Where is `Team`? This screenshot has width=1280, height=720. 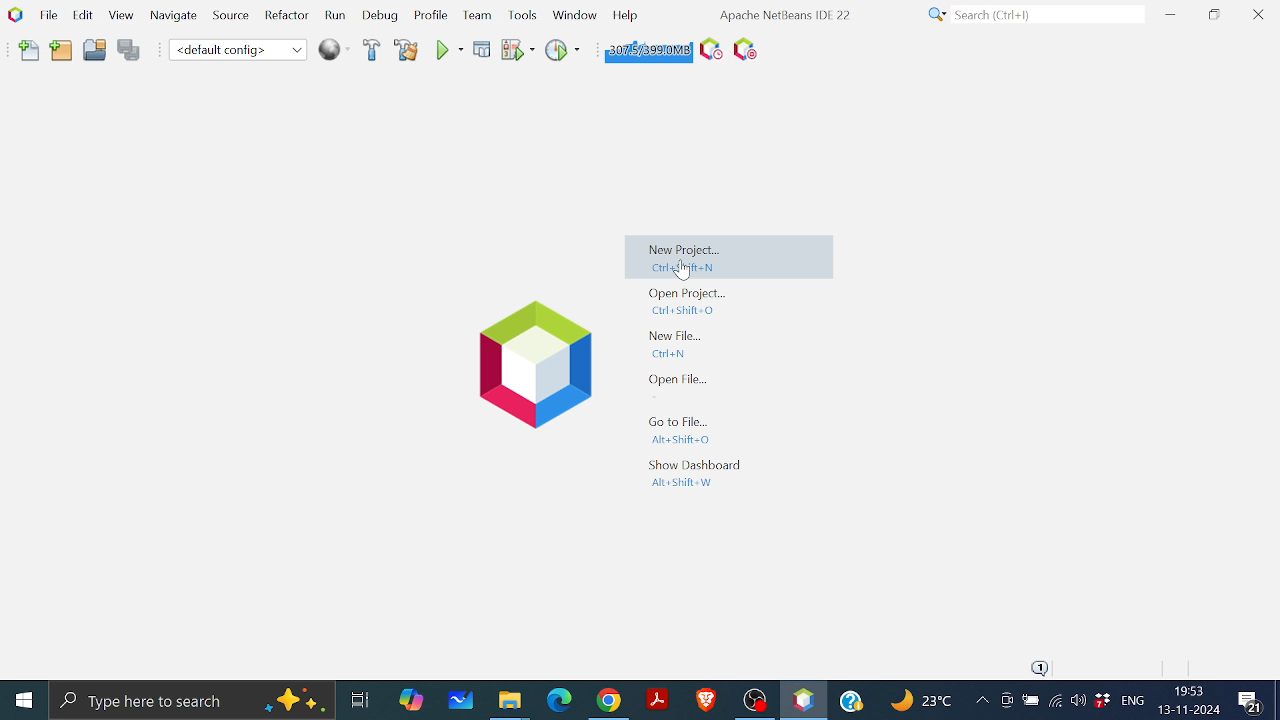
Team is located at coordinates (475, 16).